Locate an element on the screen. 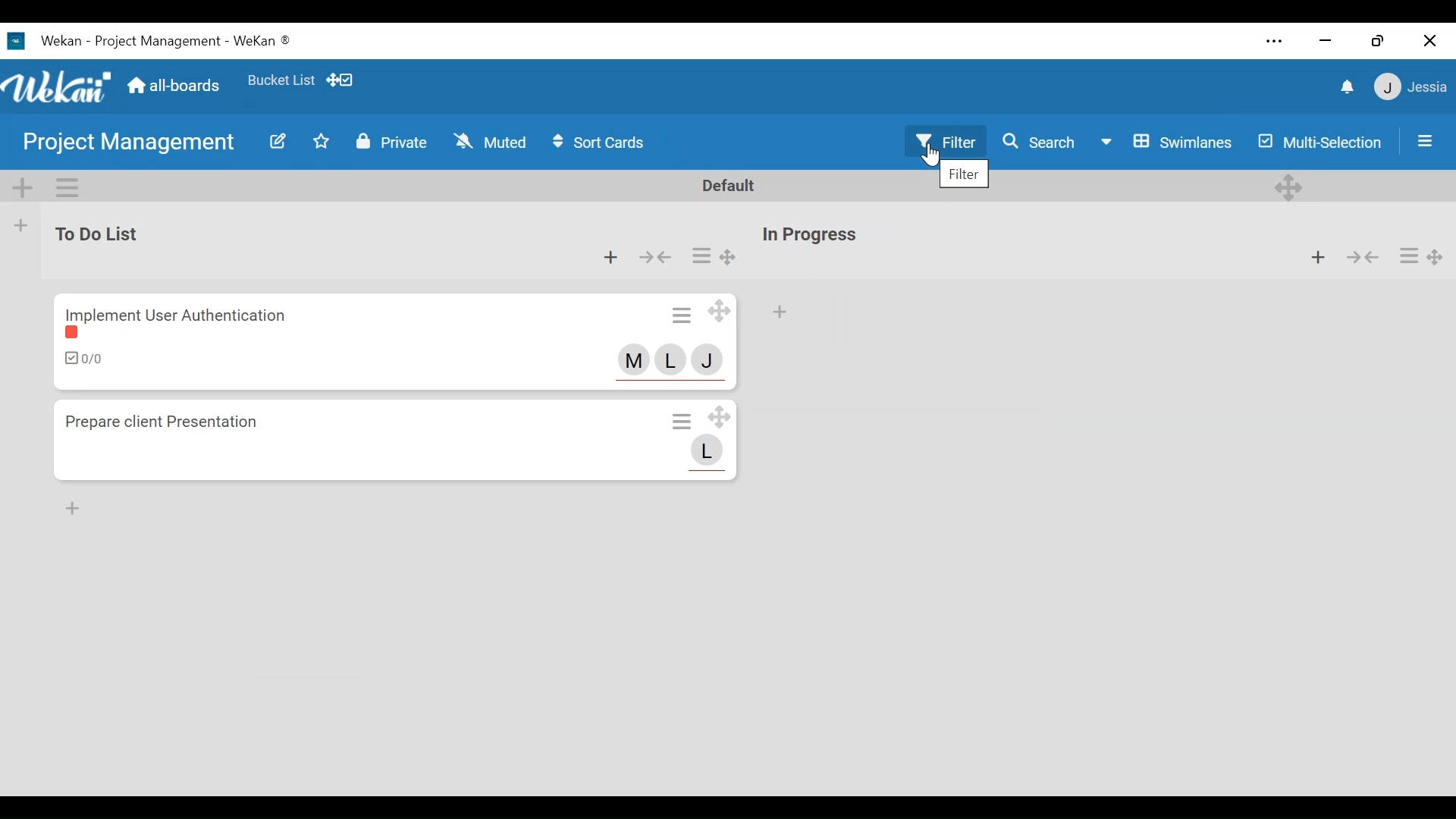 The image size is (1456, 819). Wekan -project management - wekan is located at coordinates (181, 41).